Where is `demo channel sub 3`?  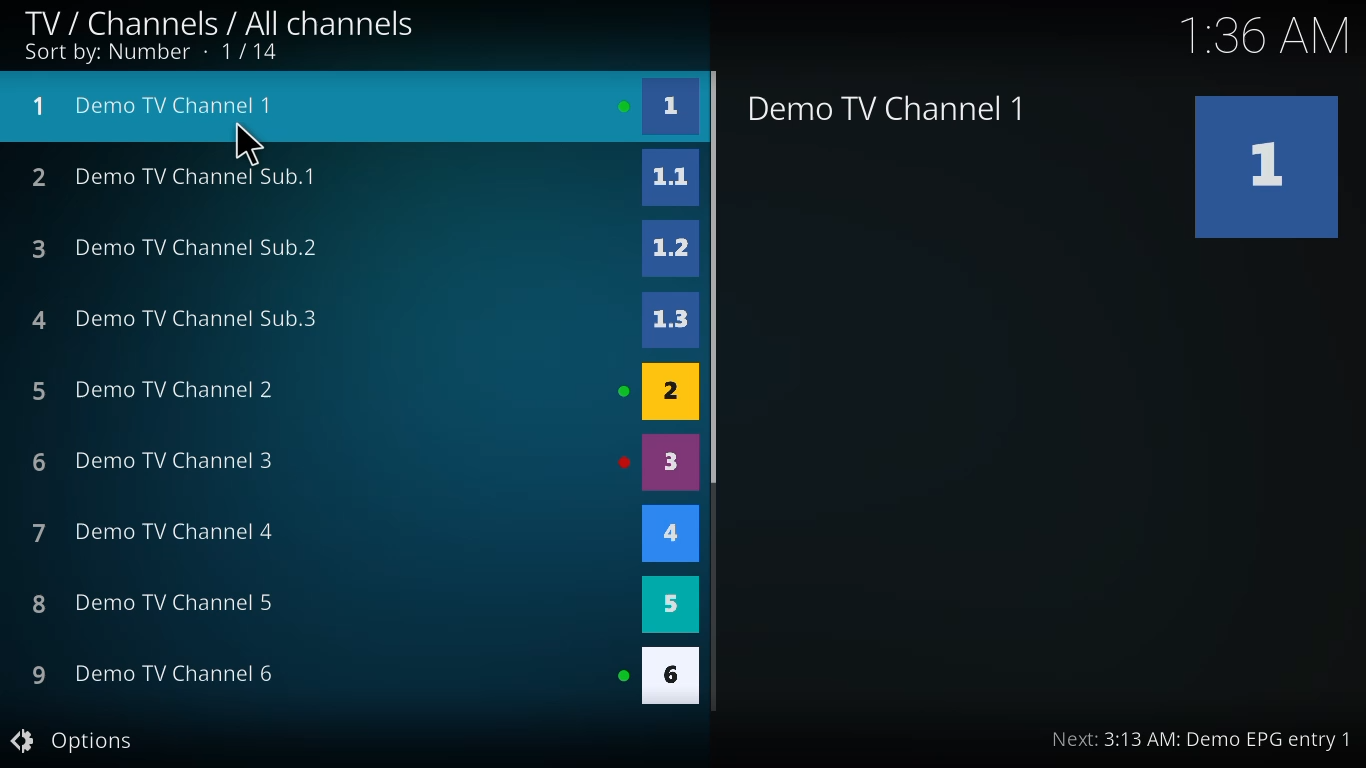
demo channel sub 3 is located at coordinates (183, 317).